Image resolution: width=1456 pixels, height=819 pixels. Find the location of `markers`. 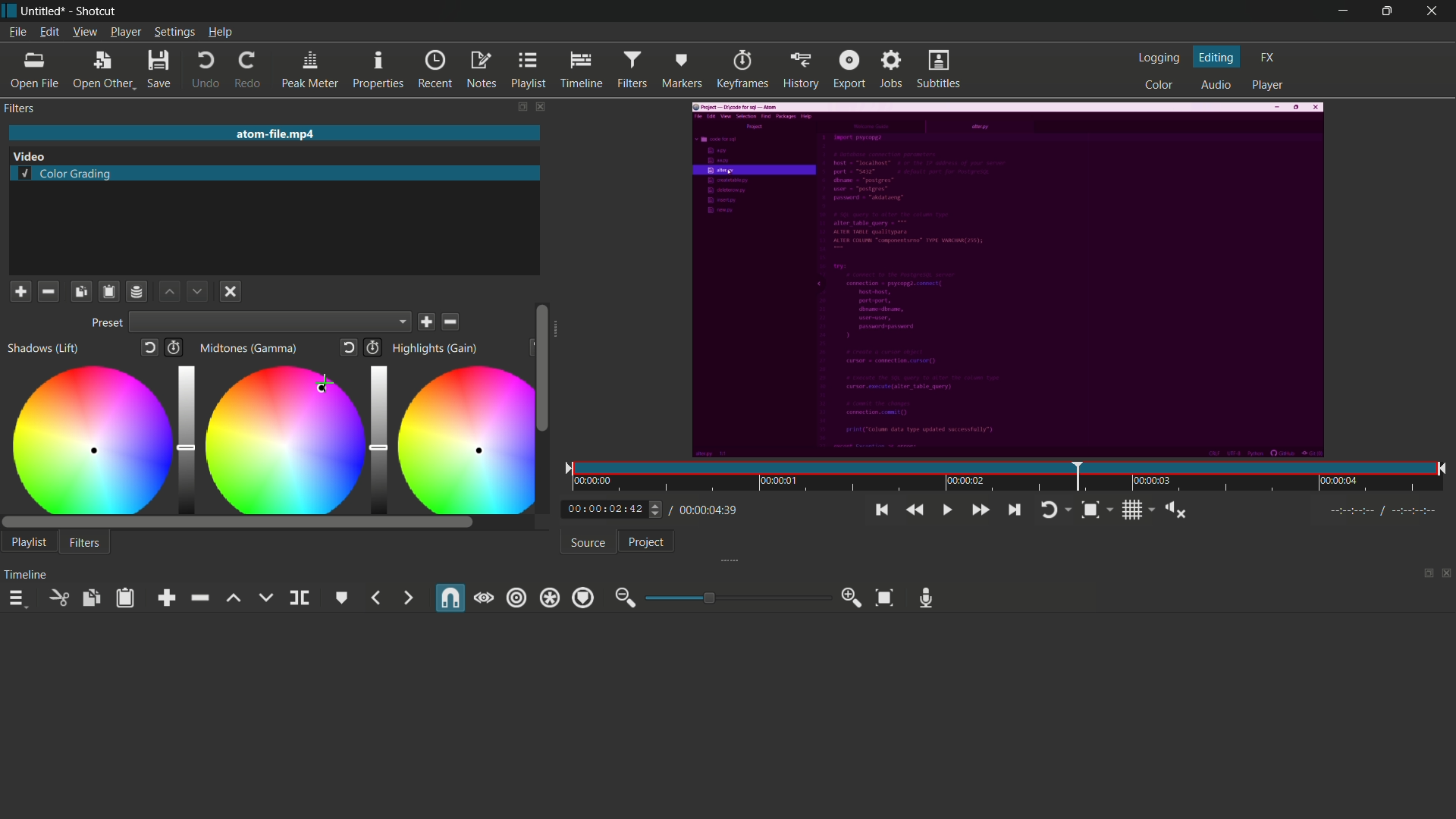

markers is located at coordinates (680, 71).